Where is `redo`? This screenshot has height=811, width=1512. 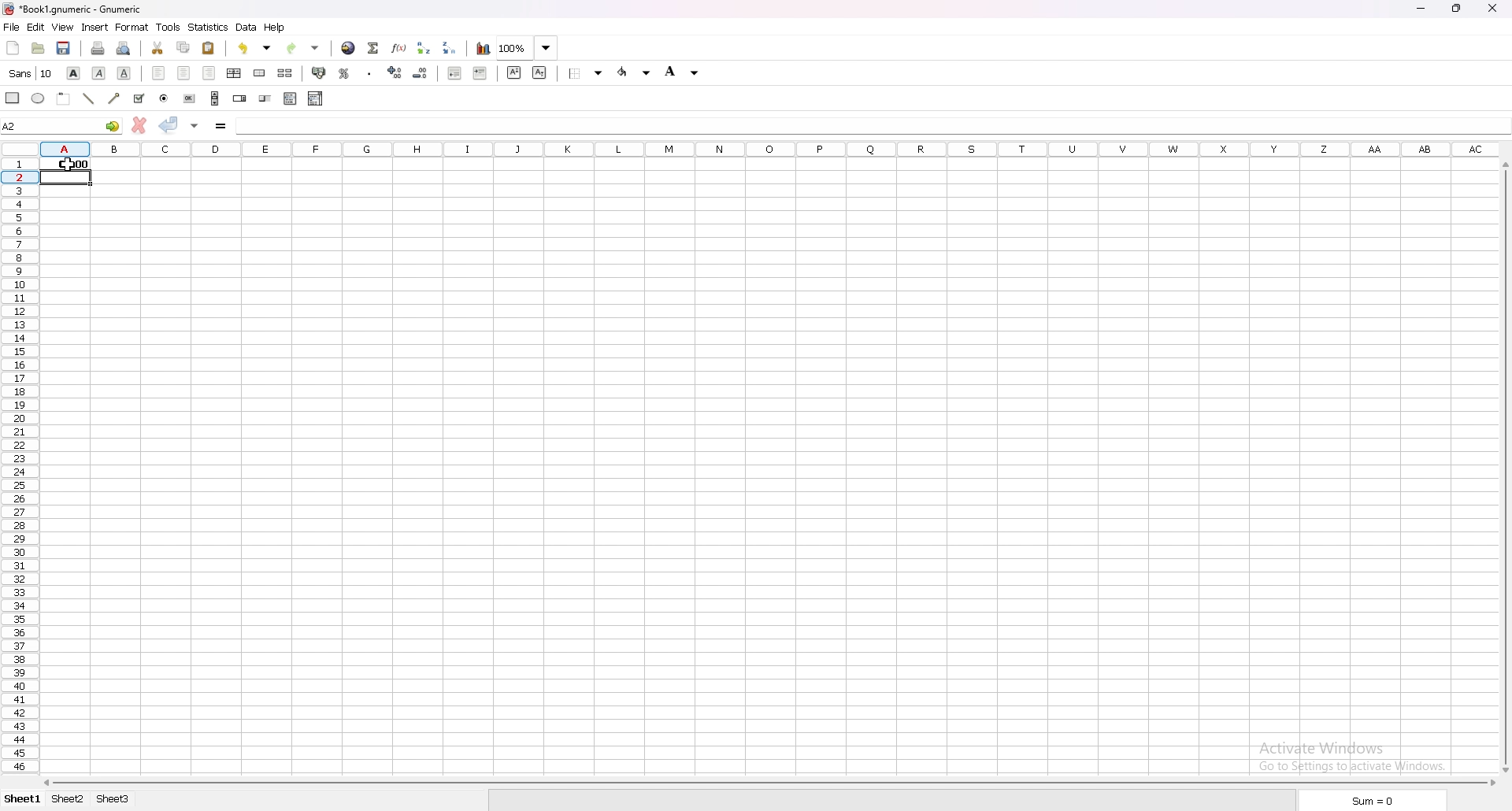
redo is located at coordinates (301, 48).